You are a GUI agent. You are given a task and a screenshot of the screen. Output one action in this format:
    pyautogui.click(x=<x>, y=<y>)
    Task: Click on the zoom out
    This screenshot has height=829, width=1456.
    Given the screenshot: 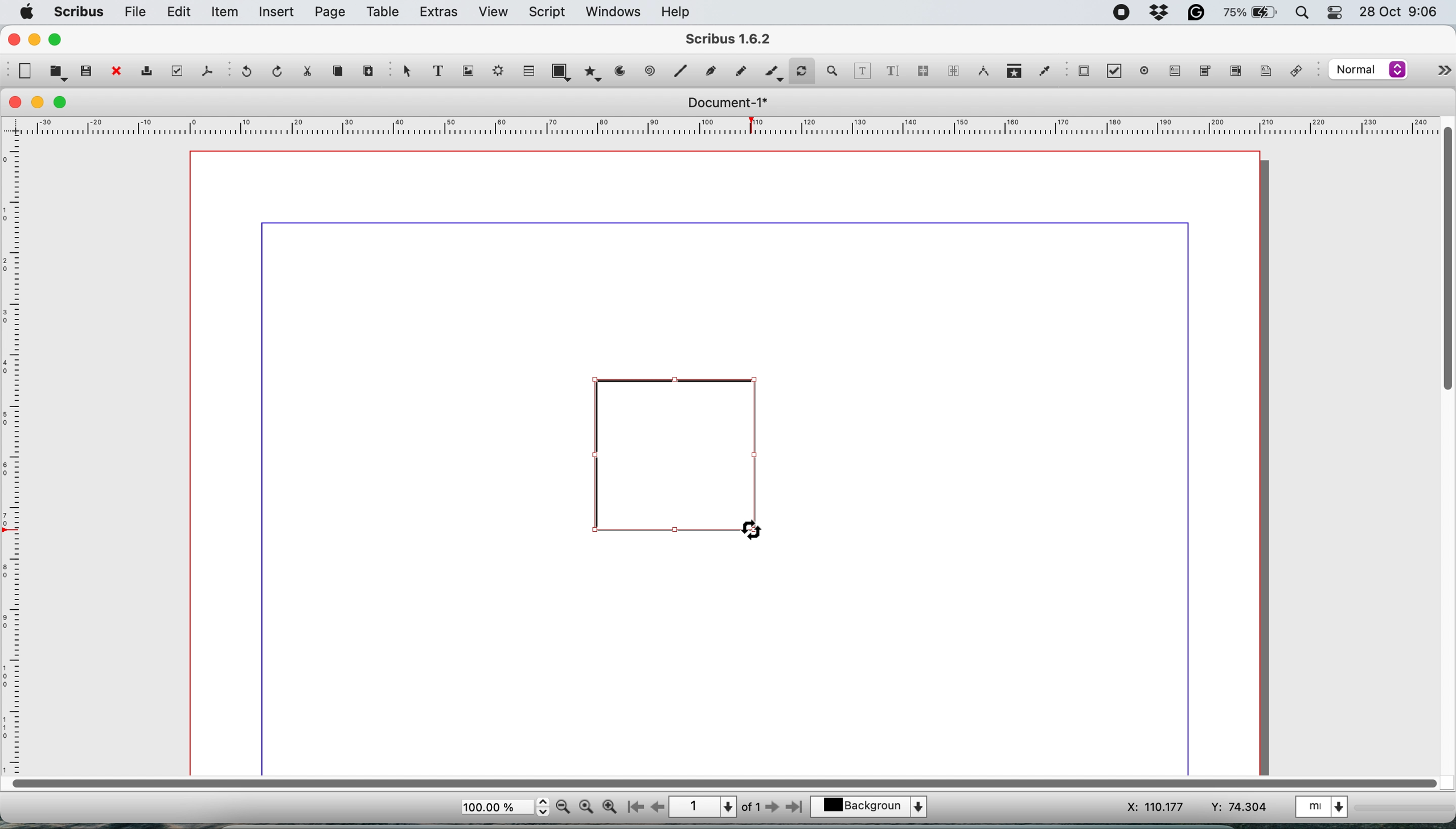 What is the action you would take?
    pyautogui.click(x=563, y=808)
    